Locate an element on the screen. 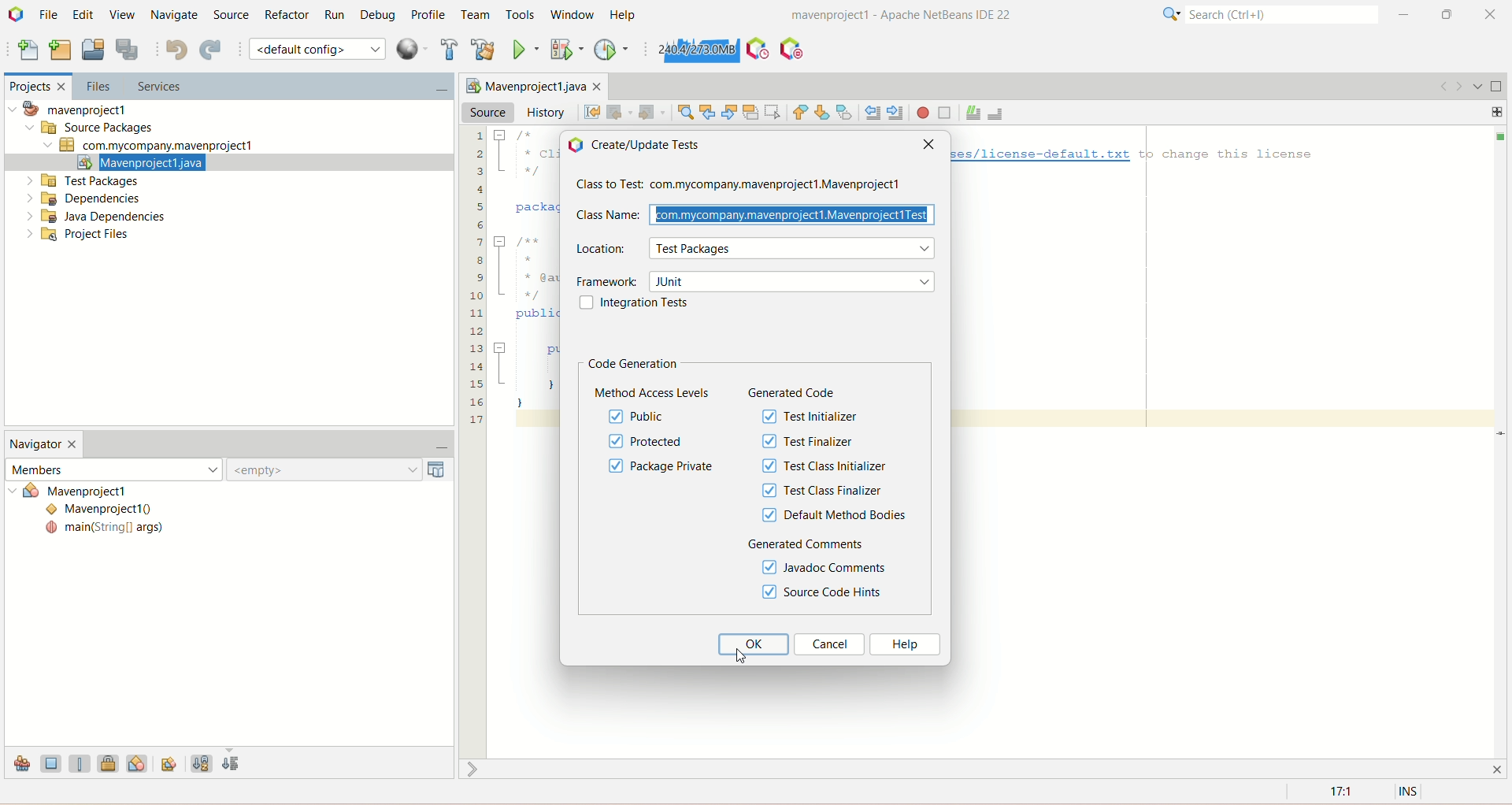 Image resolution: width=1512 pixels, height=805 pixels. go back is located at coordinates (1439, 86).